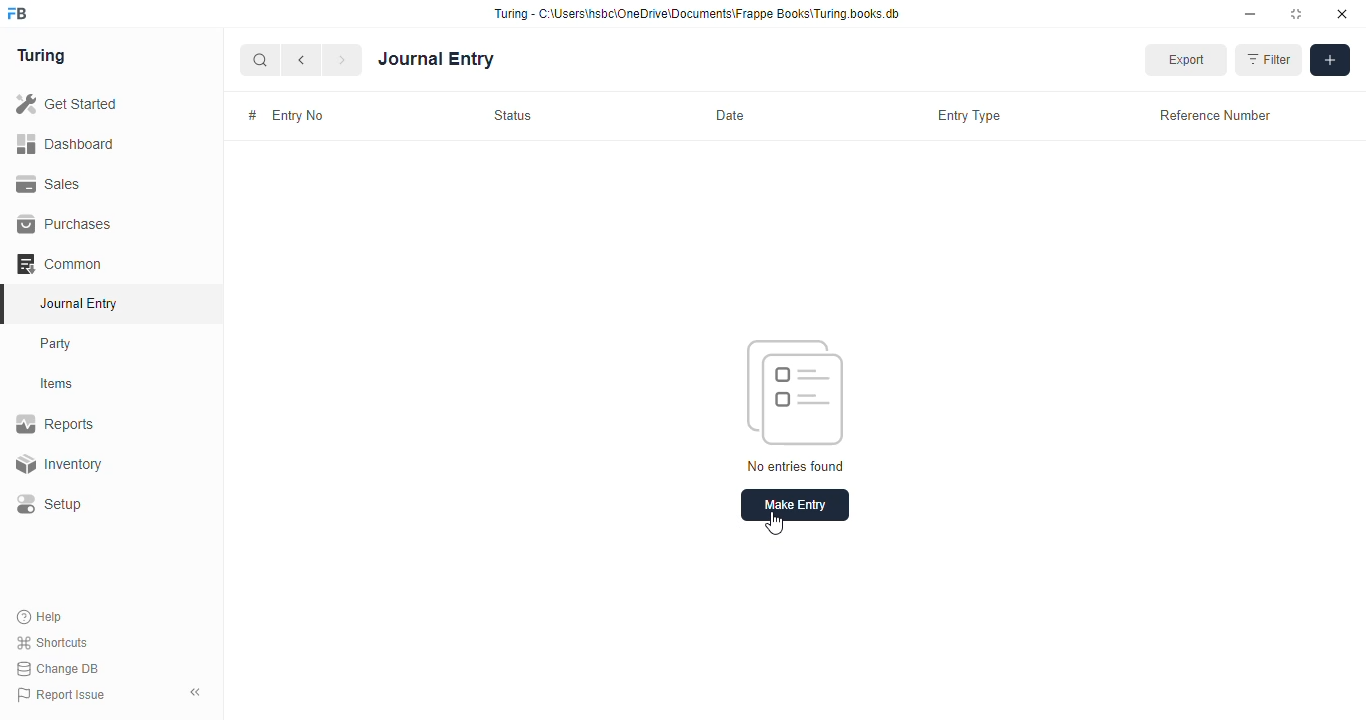 The height and width of the screenshot is (720, 1366). What do you see at coordinates (1330, 60) in the screenshot?
I see `add ` at bounding box center [1330, 60].